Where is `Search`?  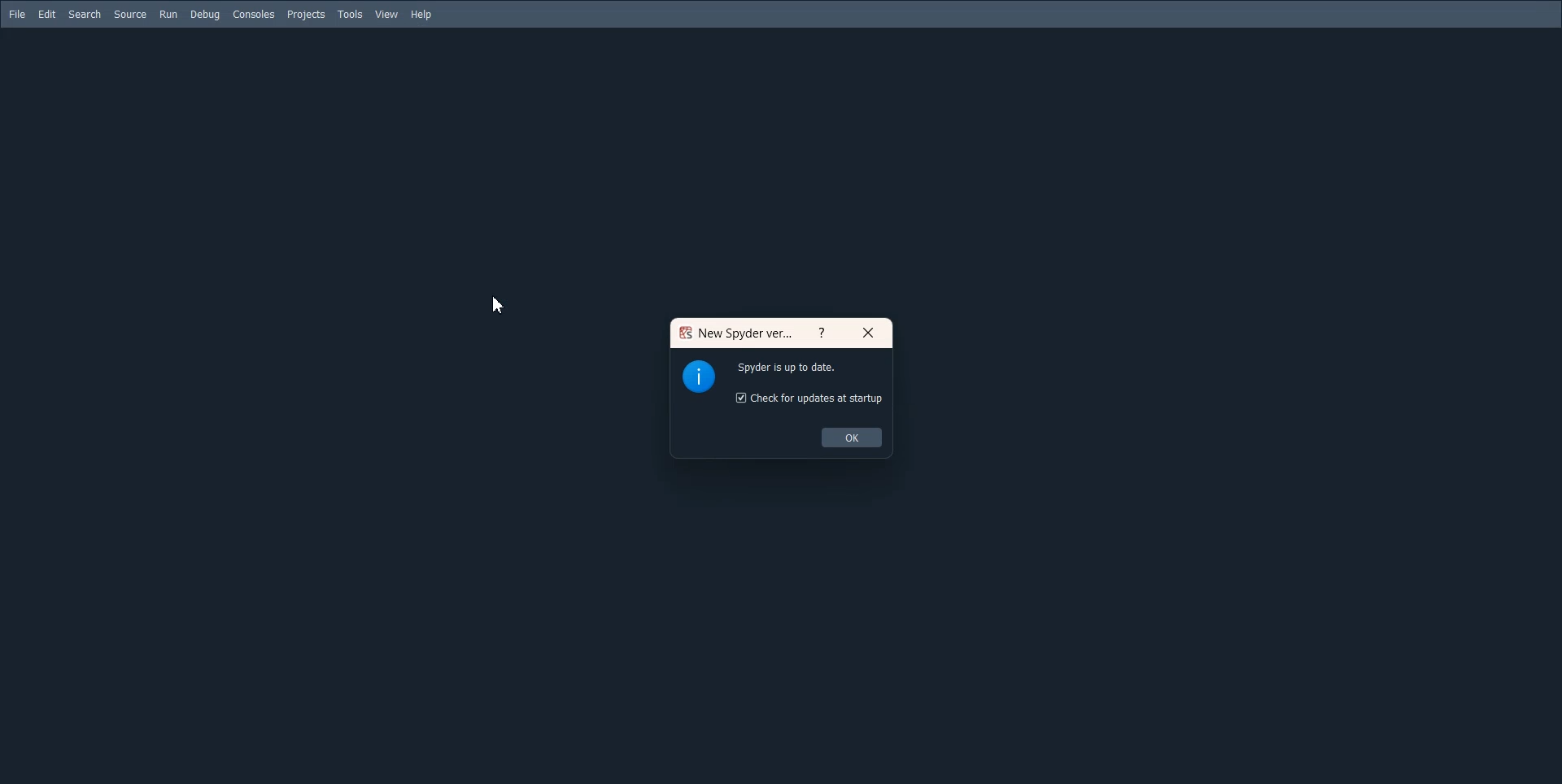
Search is located at coordinates (85, 14).